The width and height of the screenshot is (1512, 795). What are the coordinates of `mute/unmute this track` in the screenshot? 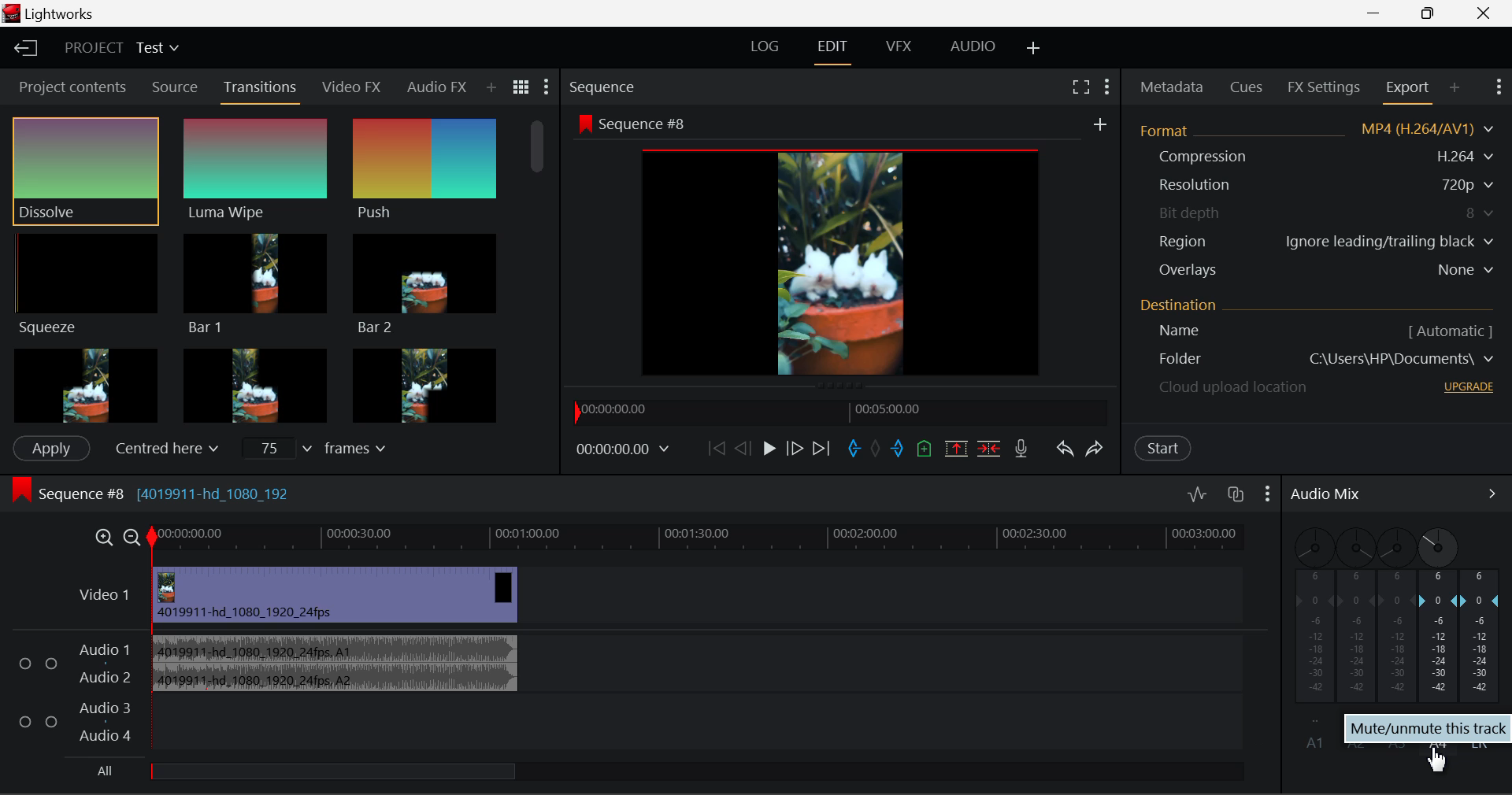 It's located at (1428, 730).